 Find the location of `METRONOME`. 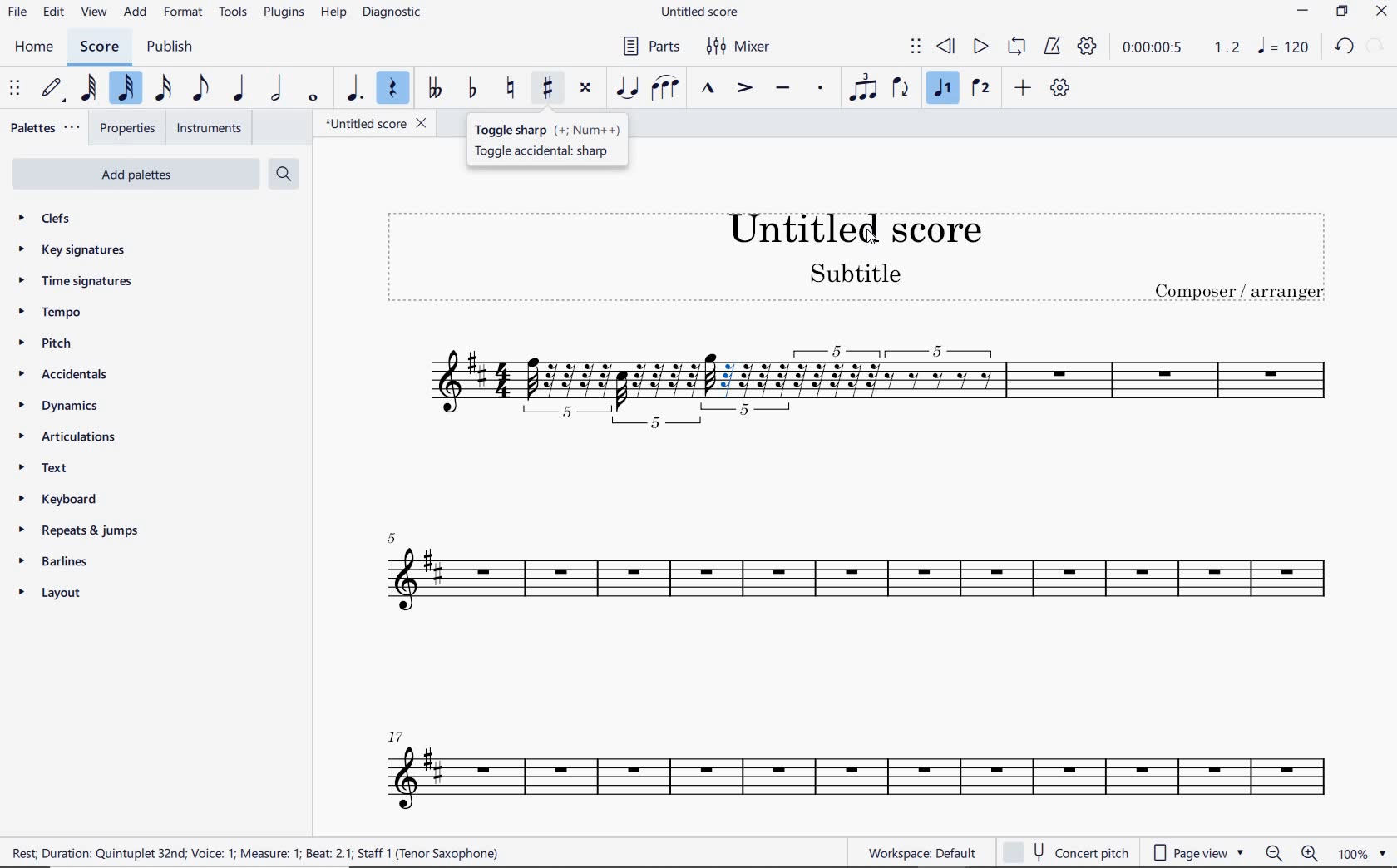

METRONOME is located at coordinates (1054, 47).